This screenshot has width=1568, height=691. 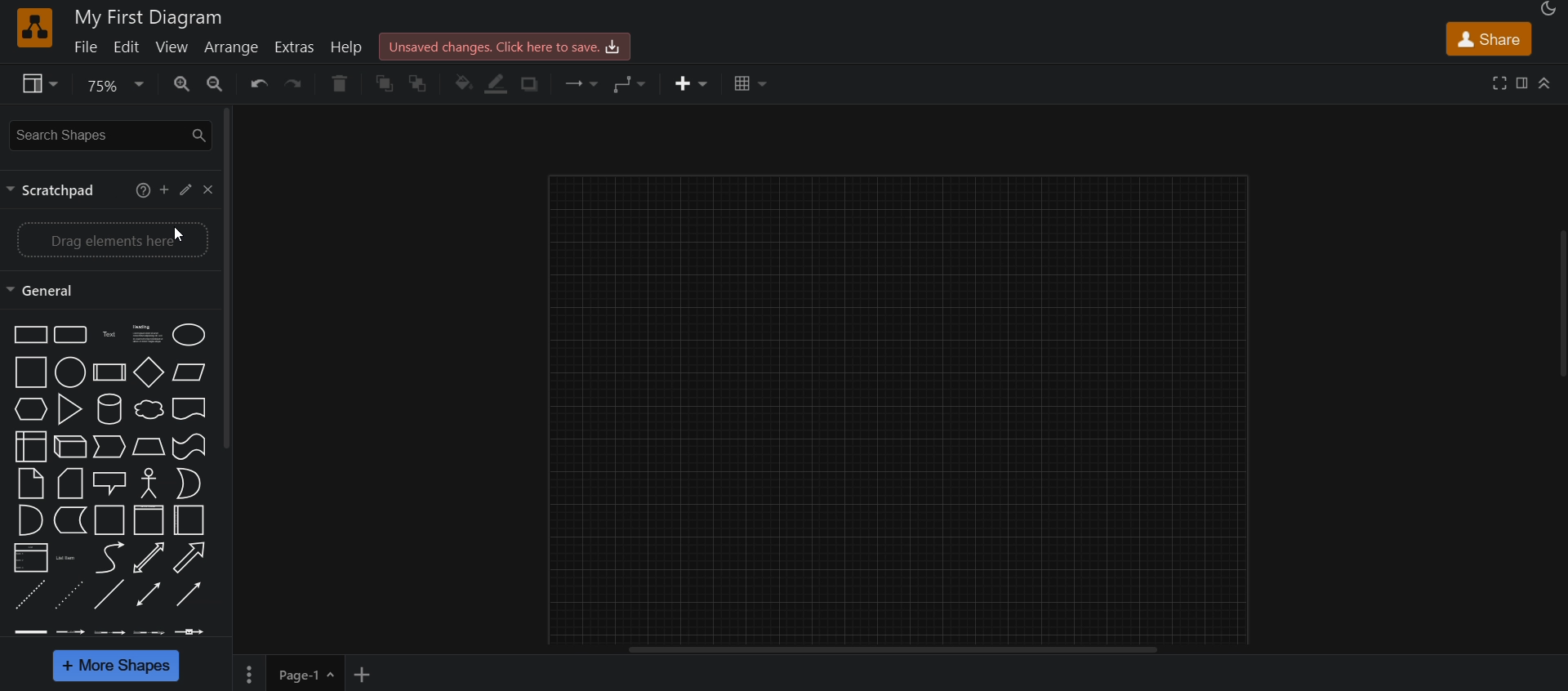 I want to click on insert, so click(x=685, y=86).